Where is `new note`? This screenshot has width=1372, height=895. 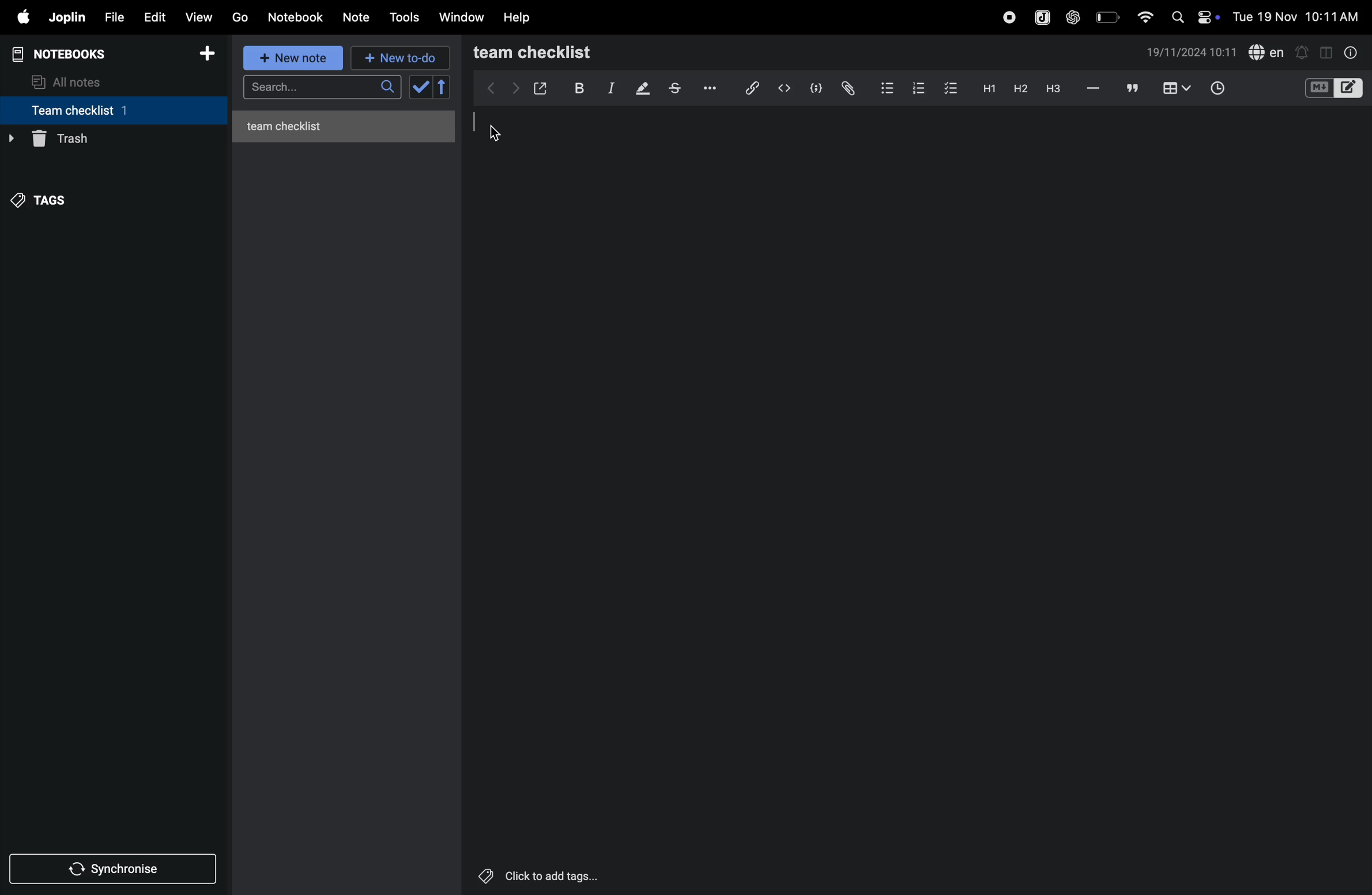 new note is located at coordinates (295, 59).